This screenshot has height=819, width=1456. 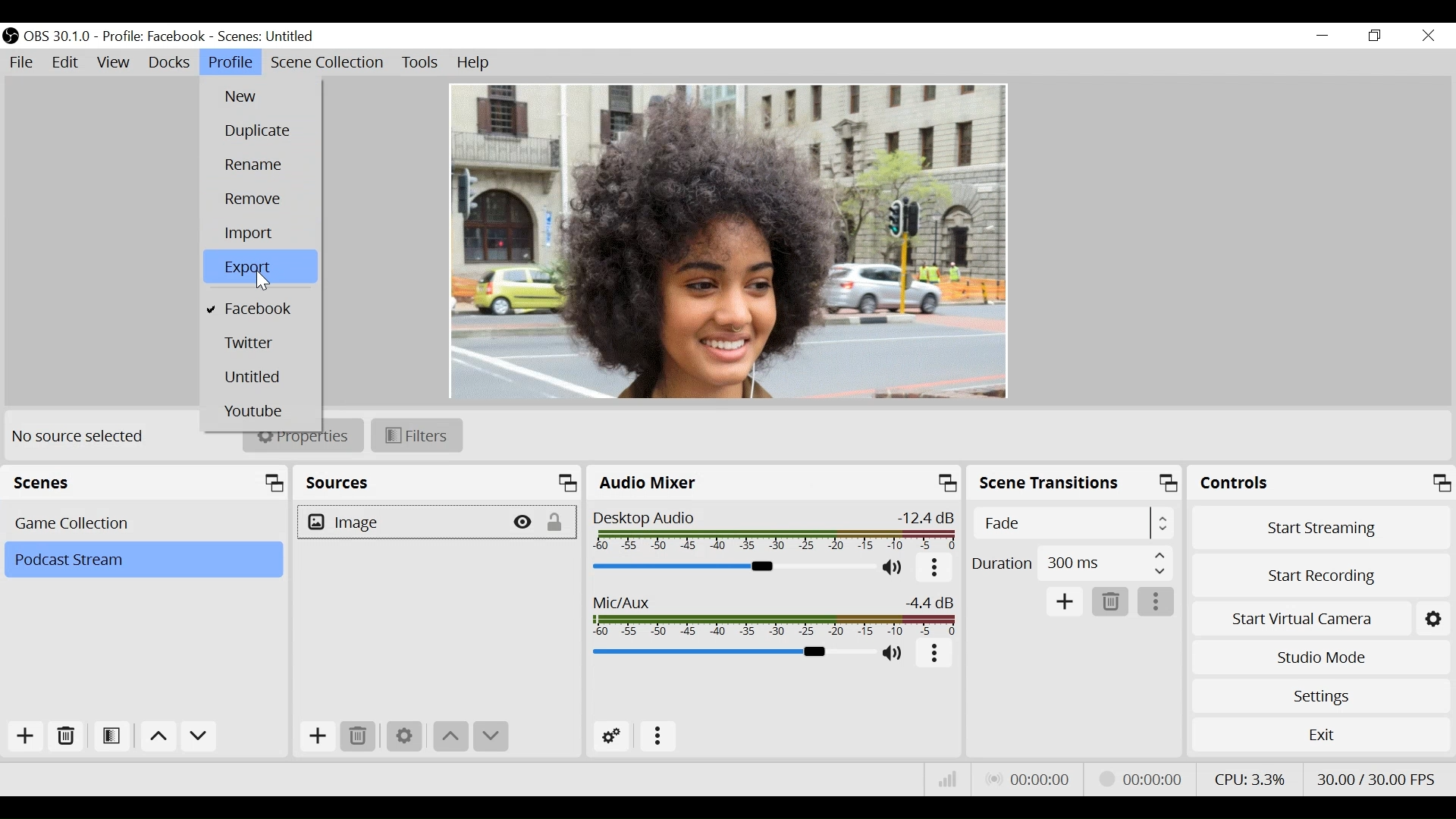 I want to click on Restore, so click(x=1375, y=36).